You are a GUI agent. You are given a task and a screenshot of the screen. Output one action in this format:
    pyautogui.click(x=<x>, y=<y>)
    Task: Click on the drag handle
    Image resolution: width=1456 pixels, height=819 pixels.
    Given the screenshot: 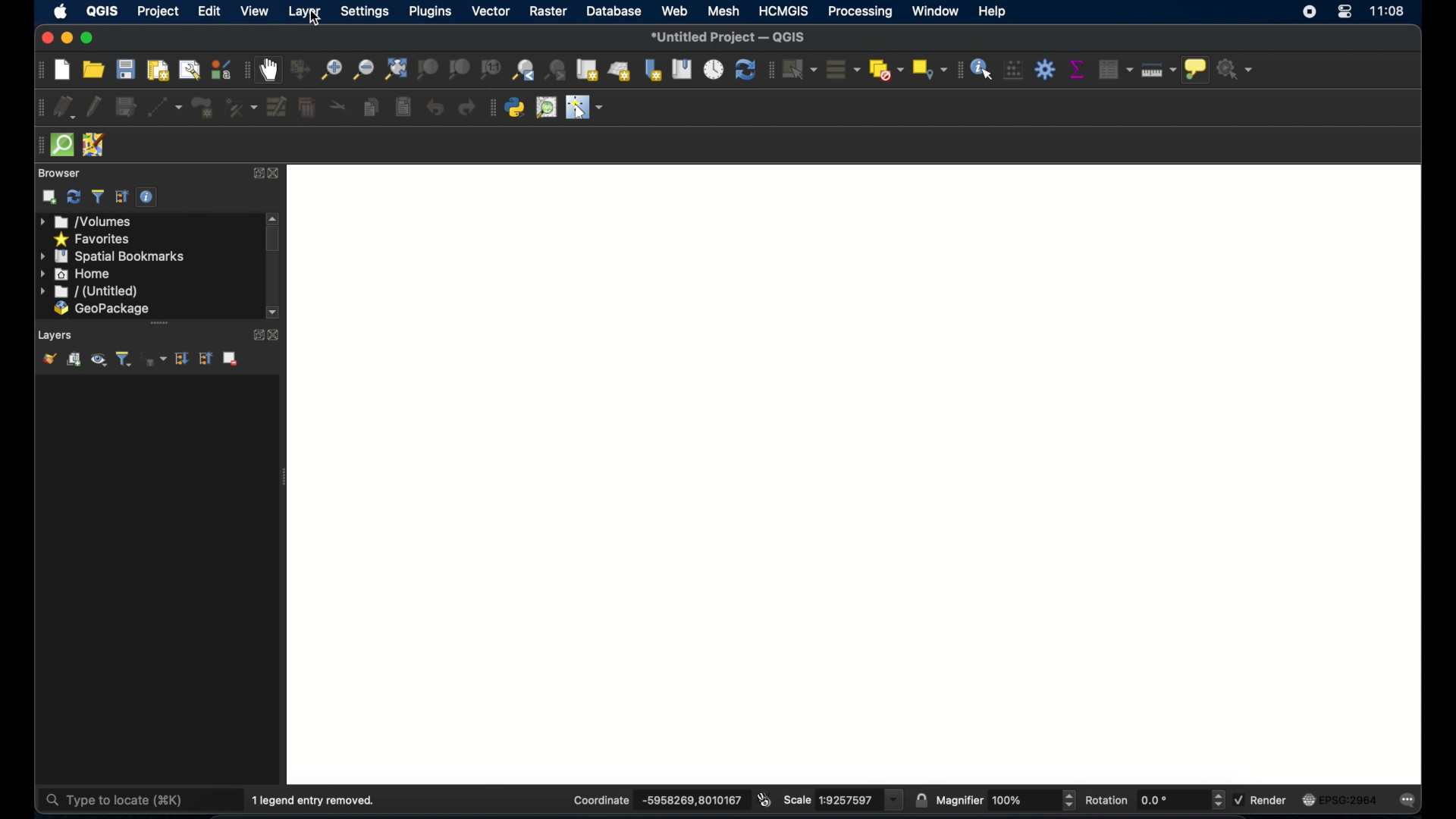 What is the action you would take?
    pyautogui.click(x=35, y=145)
    